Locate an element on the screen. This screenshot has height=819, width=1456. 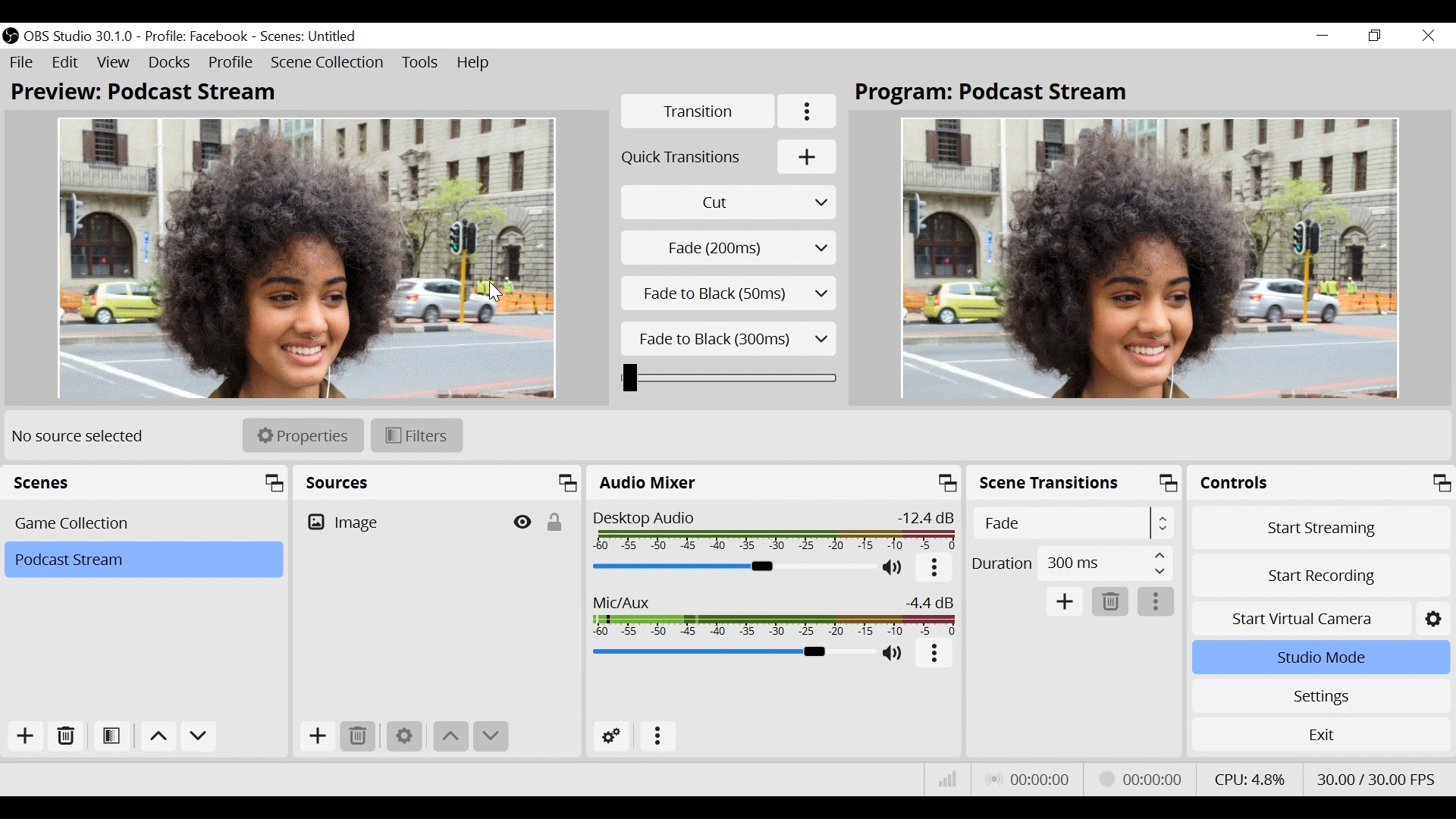
more options is located at coordinates (934, 568).